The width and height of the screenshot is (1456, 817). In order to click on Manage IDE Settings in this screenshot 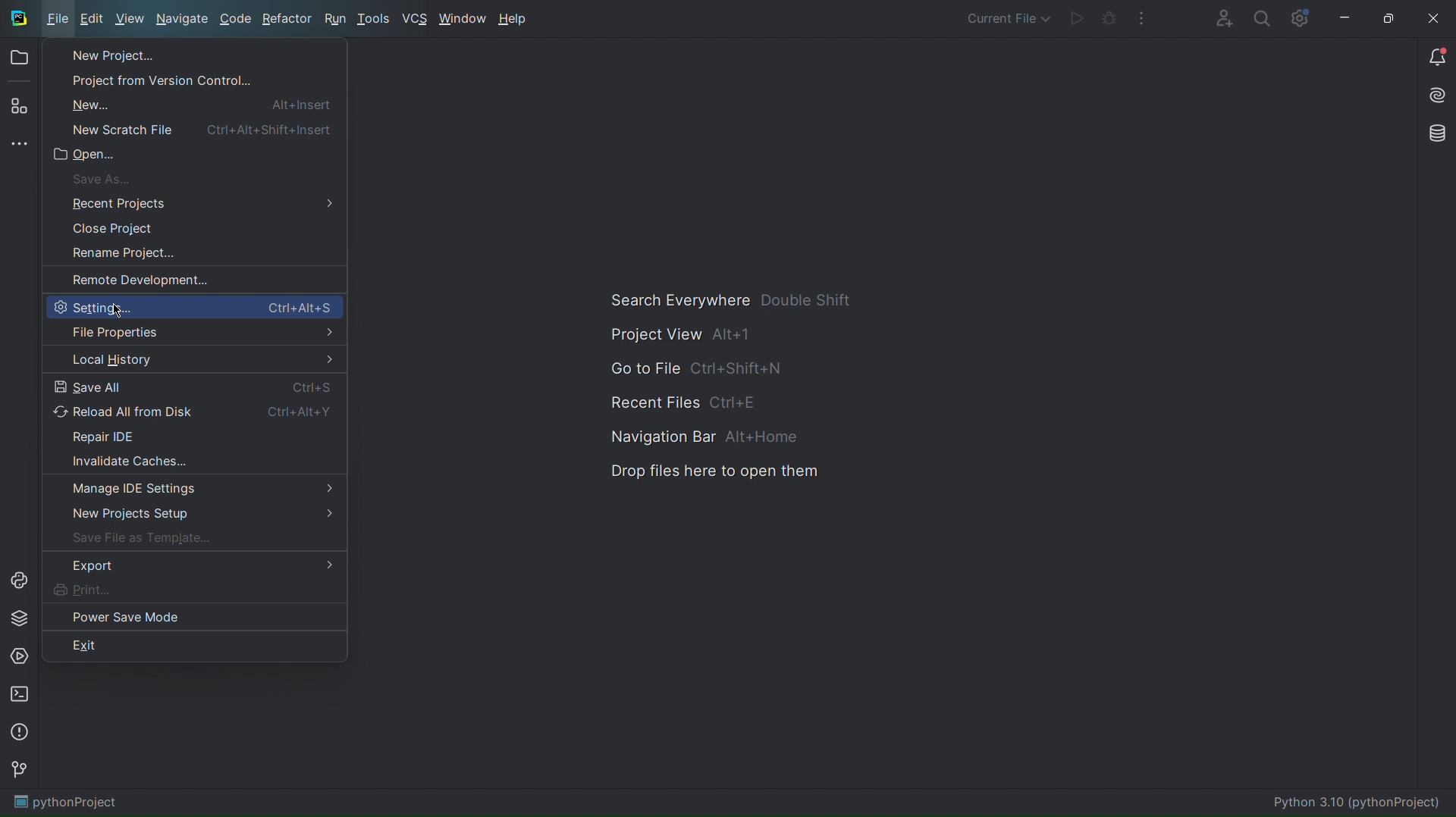, I will do `click(193, 490)`.